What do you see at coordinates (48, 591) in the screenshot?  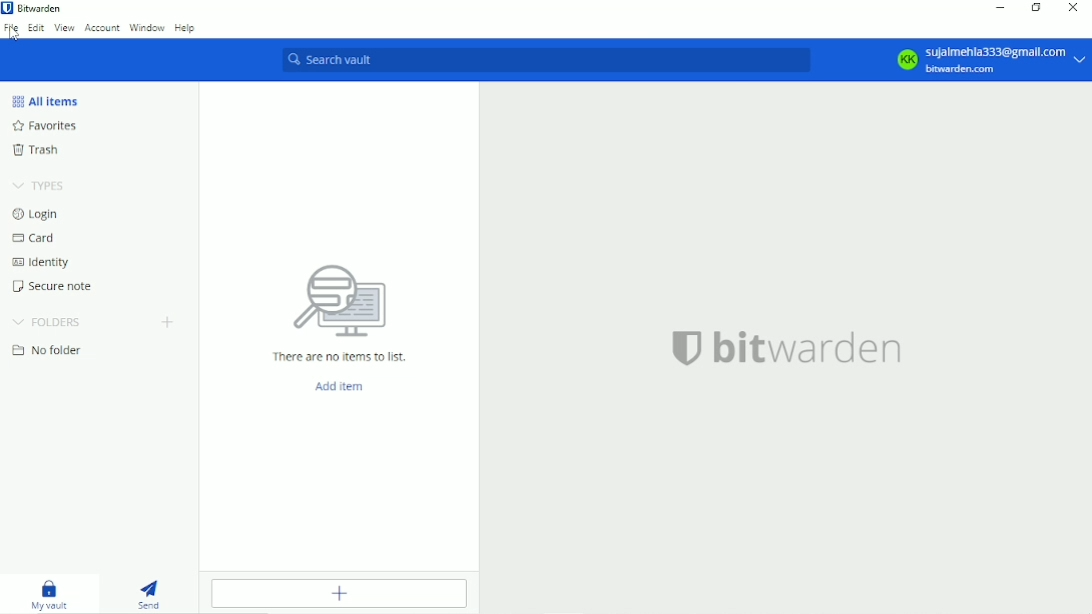 I see `My vault` at bounding box center [48, 591].